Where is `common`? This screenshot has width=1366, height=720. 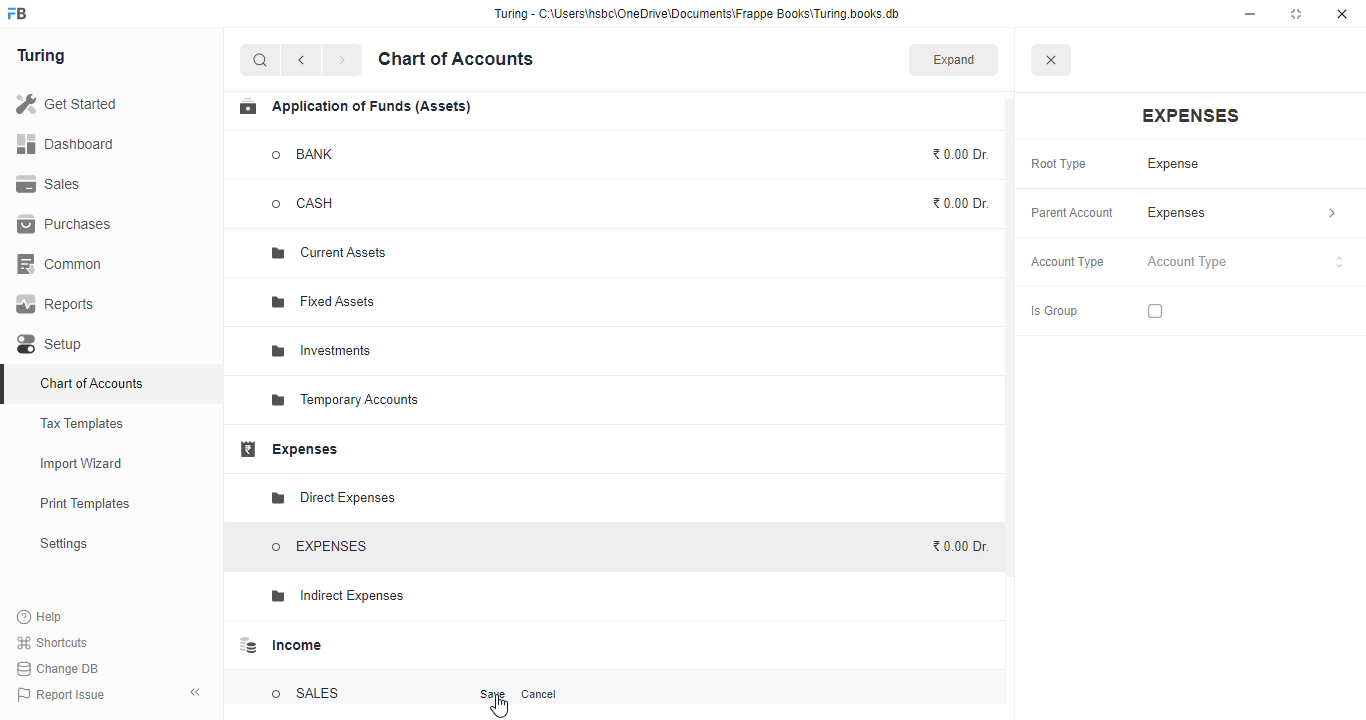
common is located at coordinates (61, 264).